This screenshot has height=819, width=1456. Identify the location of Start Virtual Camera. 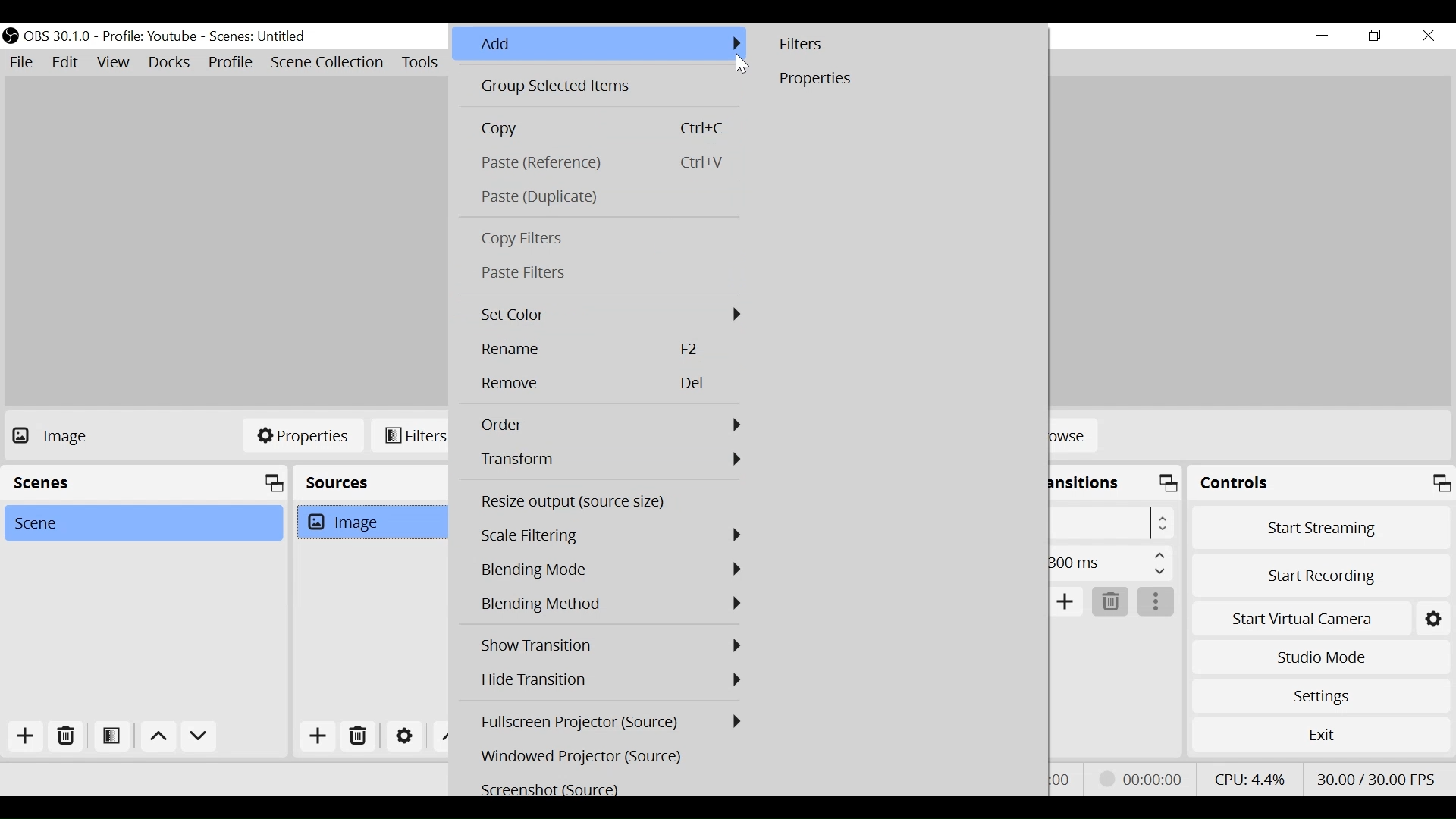
(1300, 620).